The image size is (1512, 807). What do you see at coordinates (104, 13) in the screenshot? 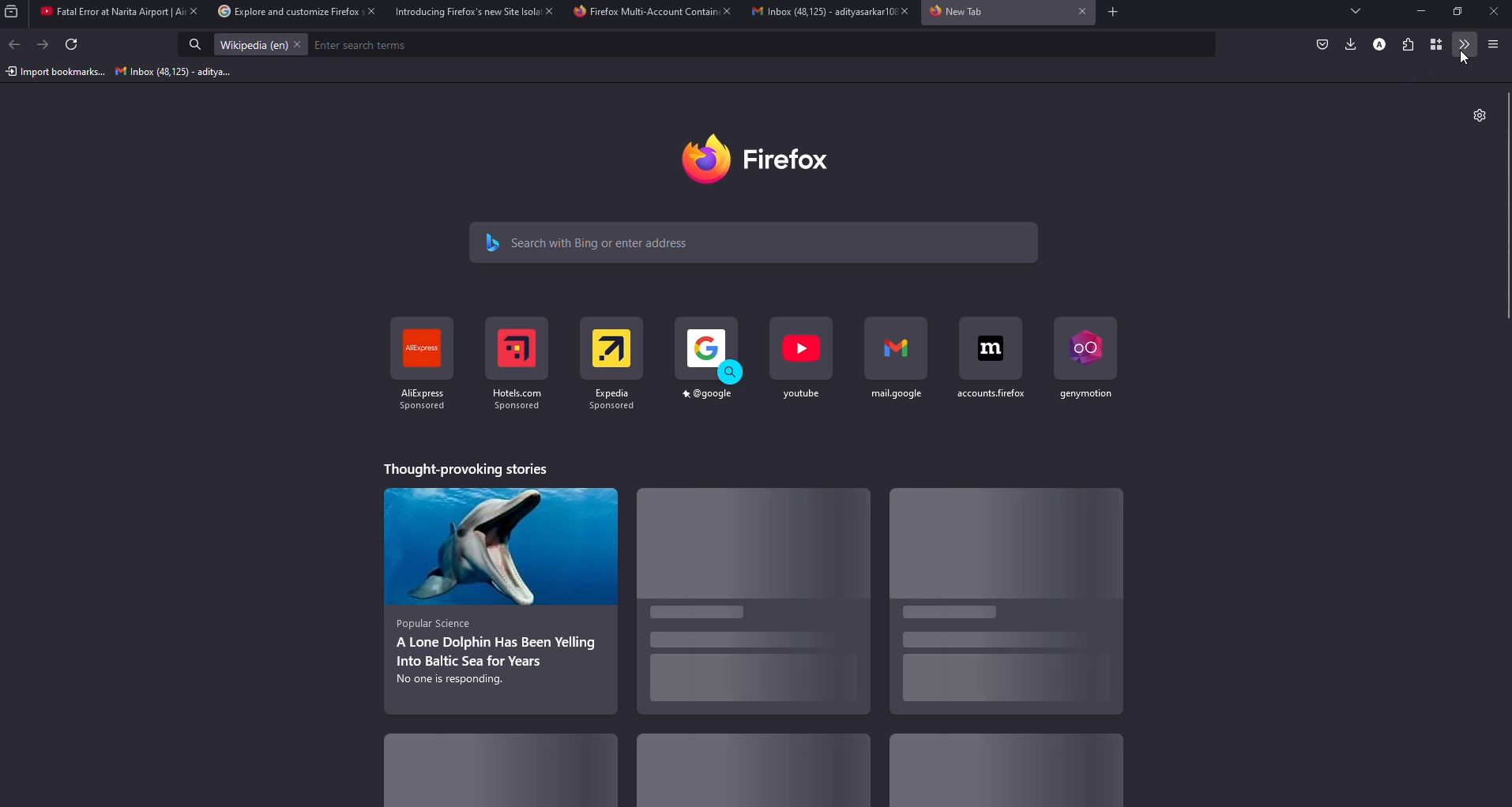
I see `tab` at bounding box center [104, 13].